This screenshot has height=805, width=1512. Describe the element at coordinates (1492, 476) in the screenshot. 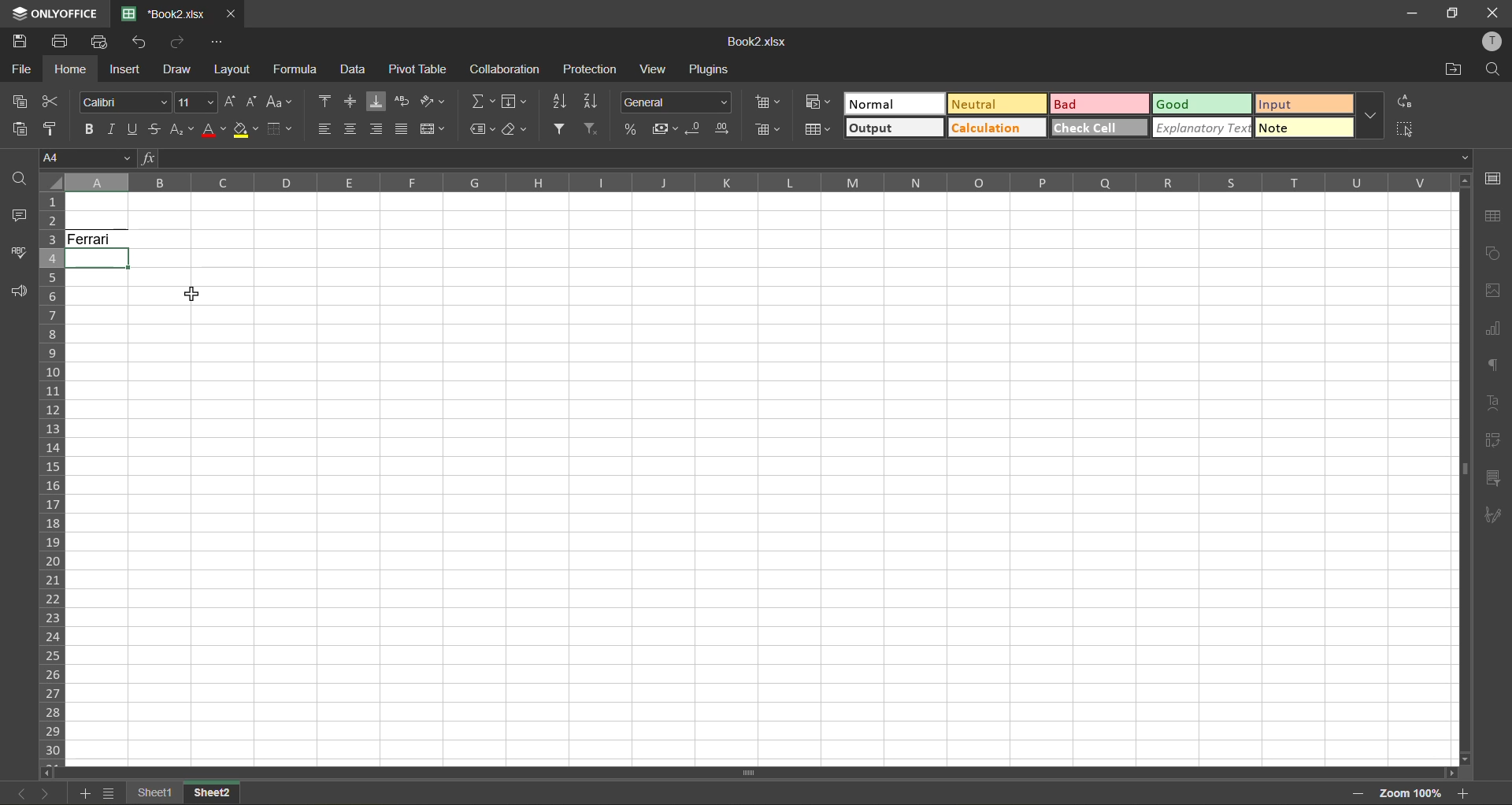

I see `slicer` at that location.